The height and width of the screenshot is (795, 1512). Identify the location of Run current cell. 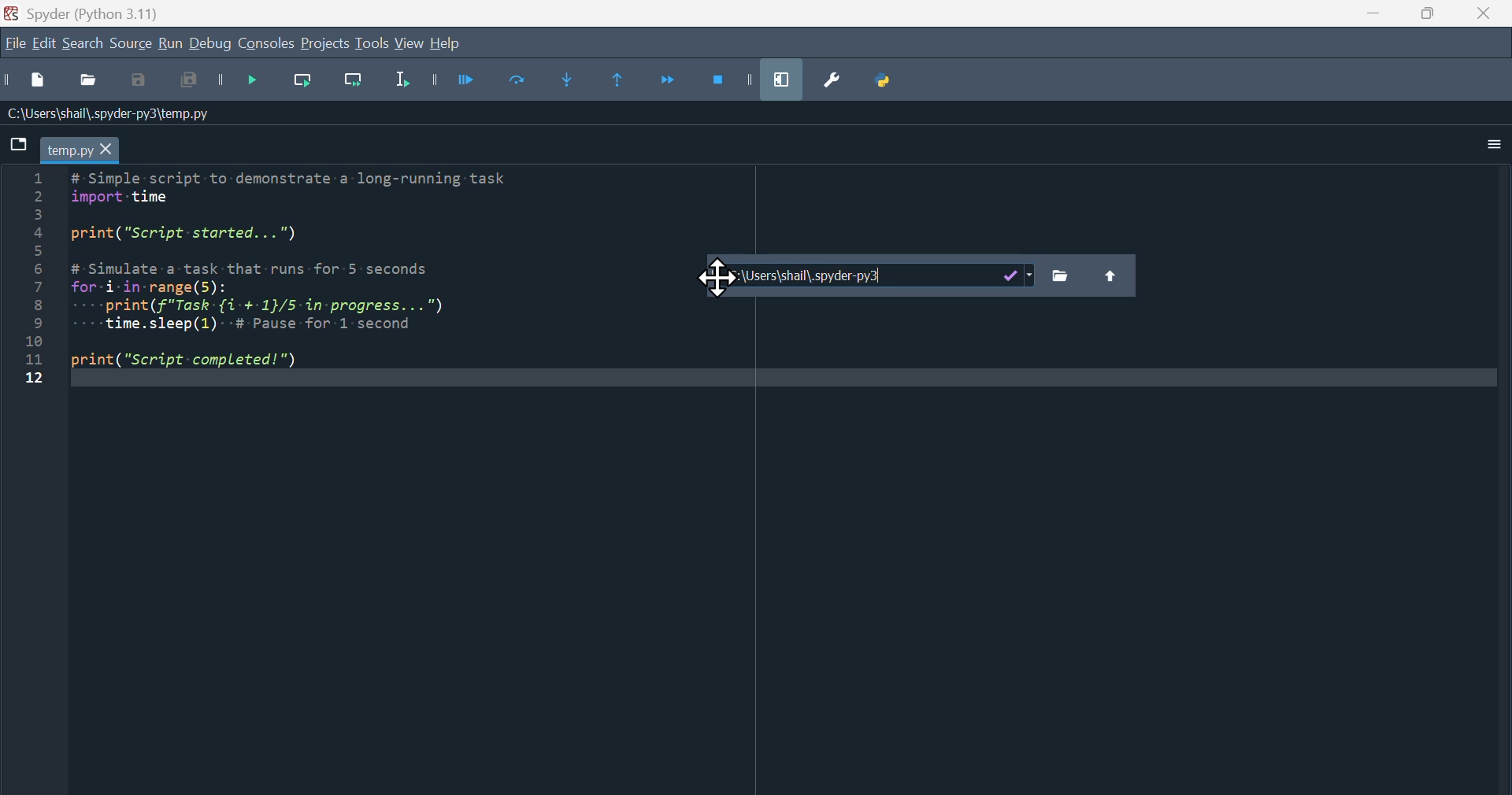
(528, 83).